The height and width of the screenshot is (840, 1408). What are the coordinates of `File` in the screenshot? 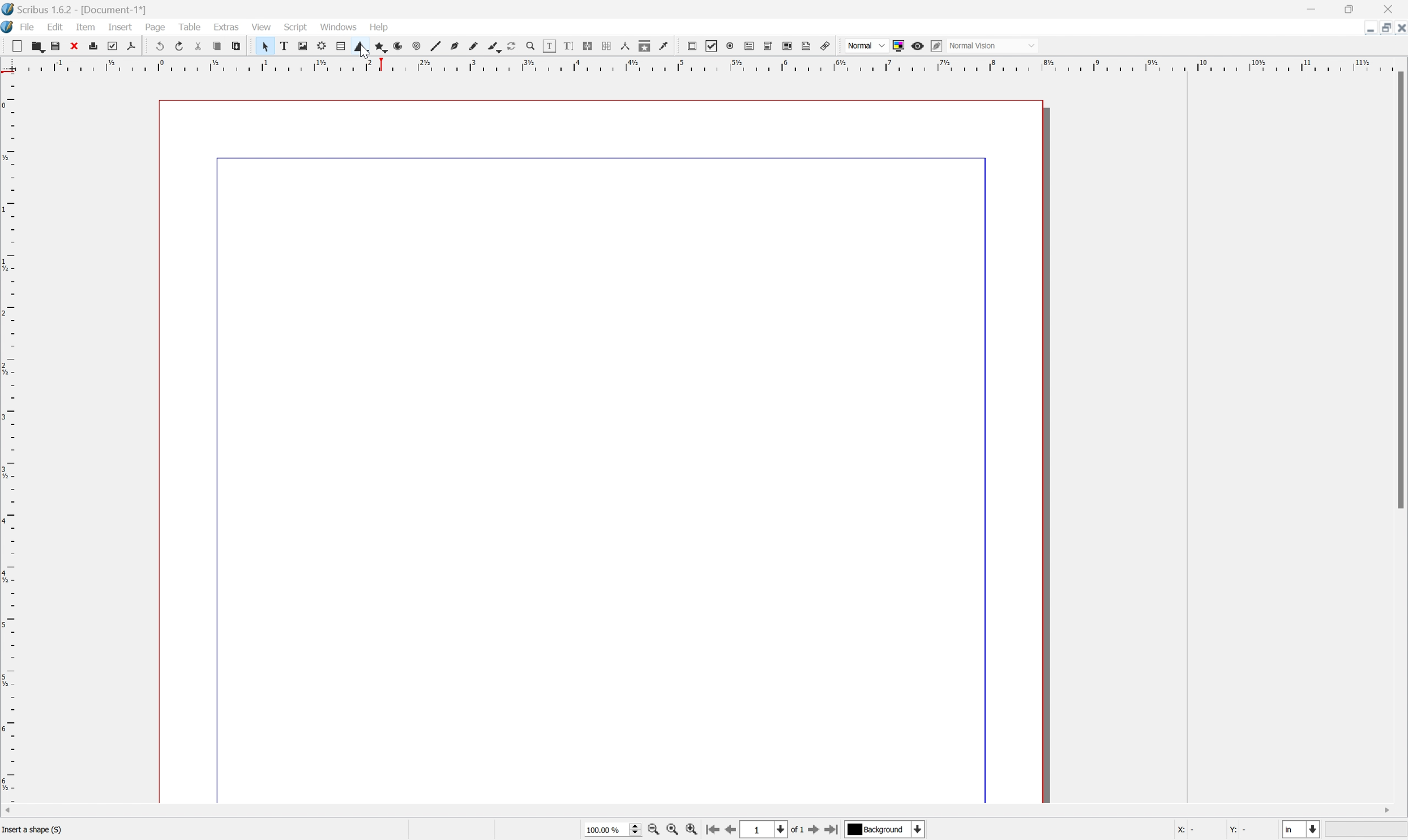 It's located at (27, 26).